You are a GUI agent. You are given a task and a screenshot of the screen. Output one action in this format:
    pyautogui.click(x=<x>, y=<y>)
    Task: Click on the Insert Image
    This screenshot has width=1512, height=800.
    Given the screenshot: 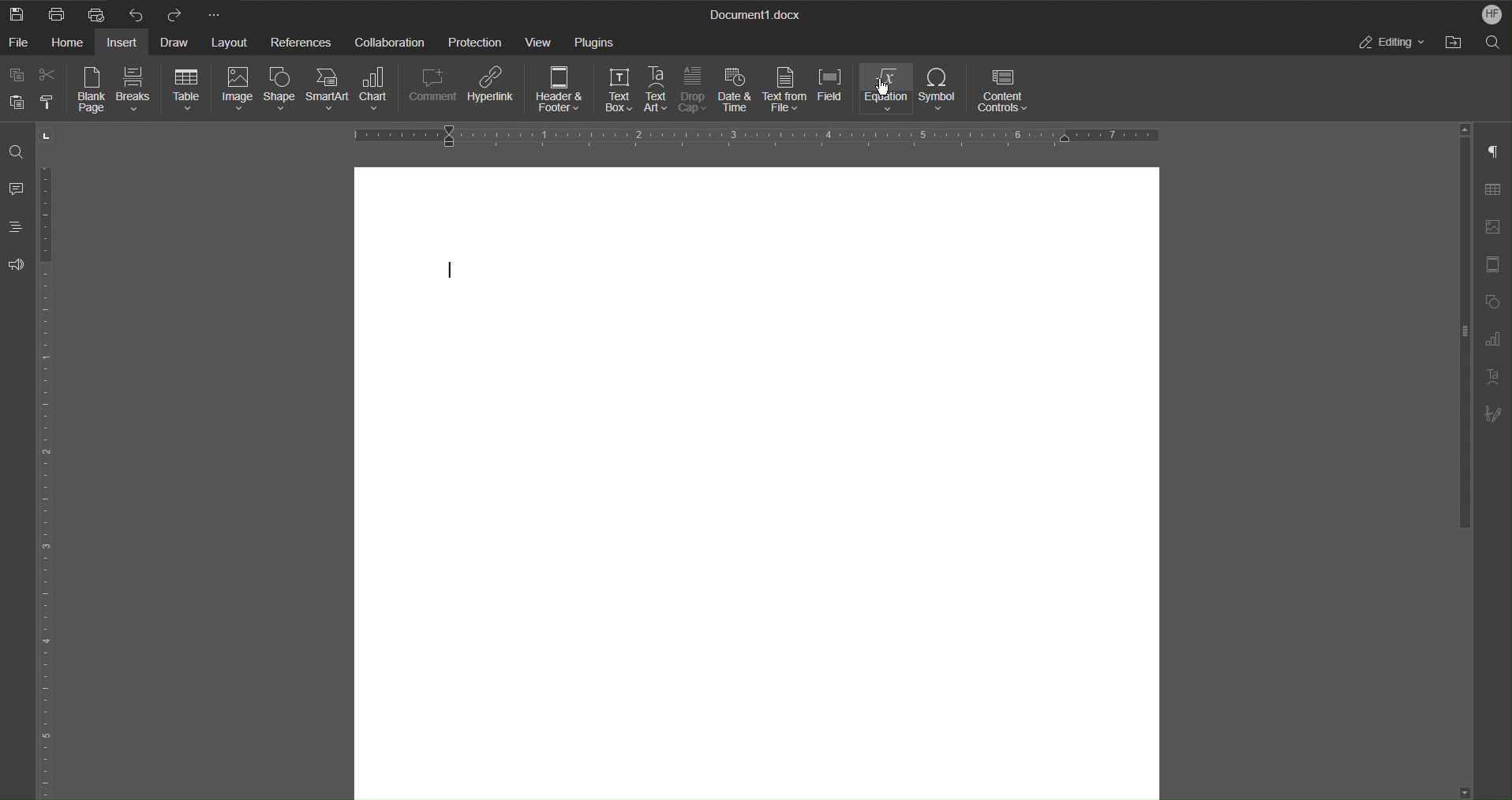 What is the action you would take?
    pyautogui.click(x=1493, y=228)
    